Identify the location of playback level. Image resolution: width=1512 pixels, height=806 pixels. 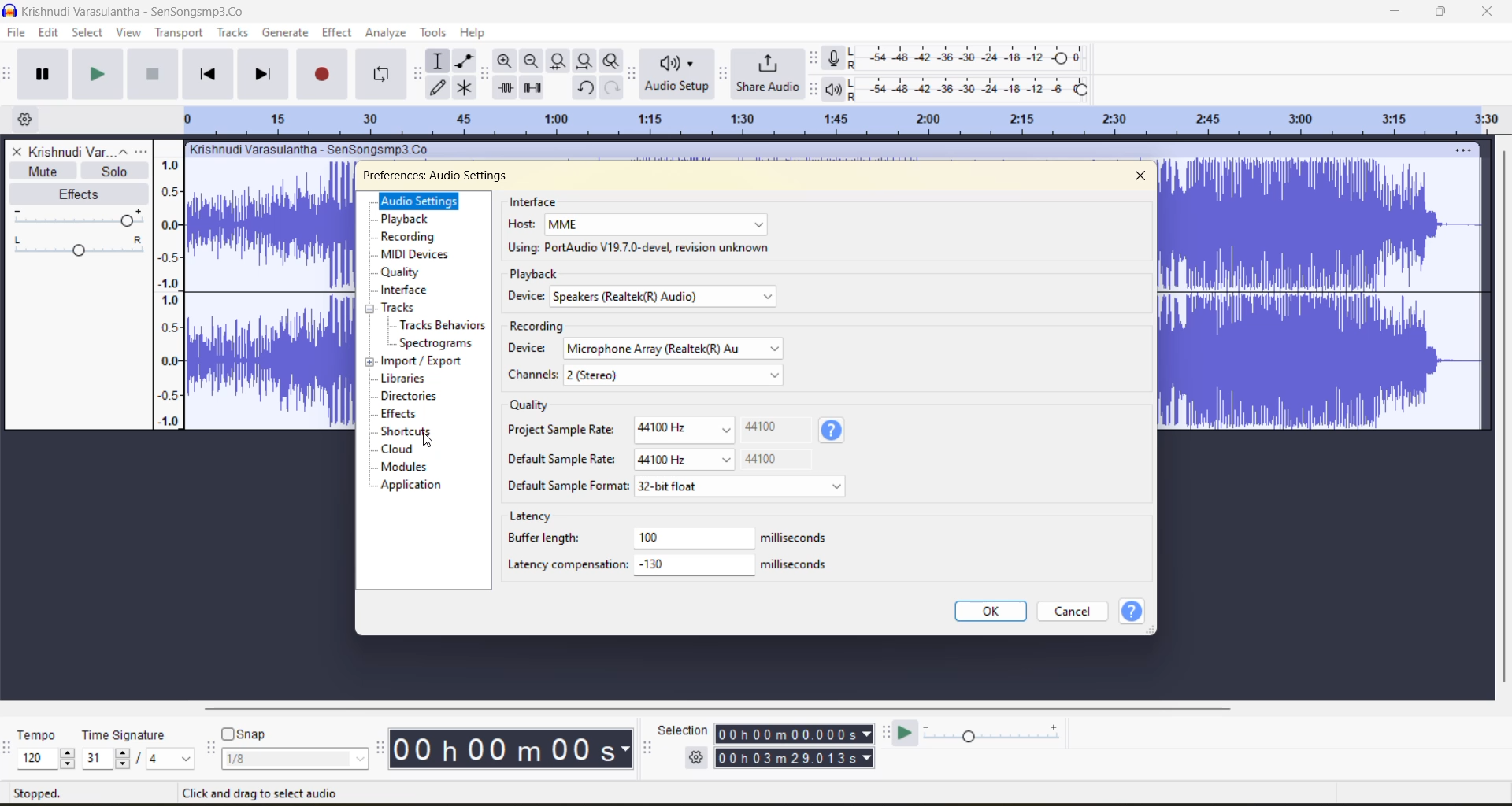
(973, 87).